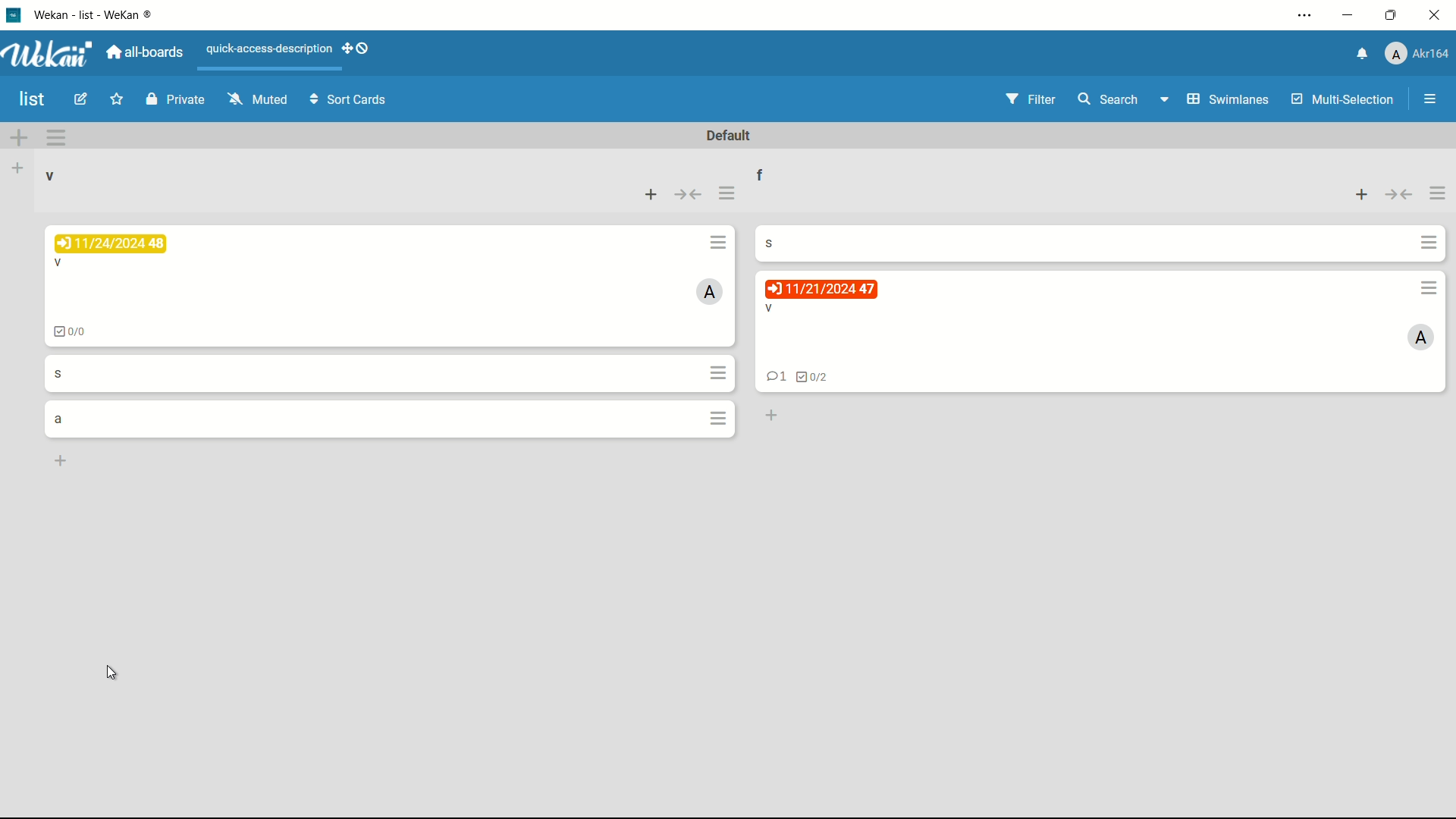 The height and width of the screenshot is (819, 1456). I want to click on list name, so click(770, 173).